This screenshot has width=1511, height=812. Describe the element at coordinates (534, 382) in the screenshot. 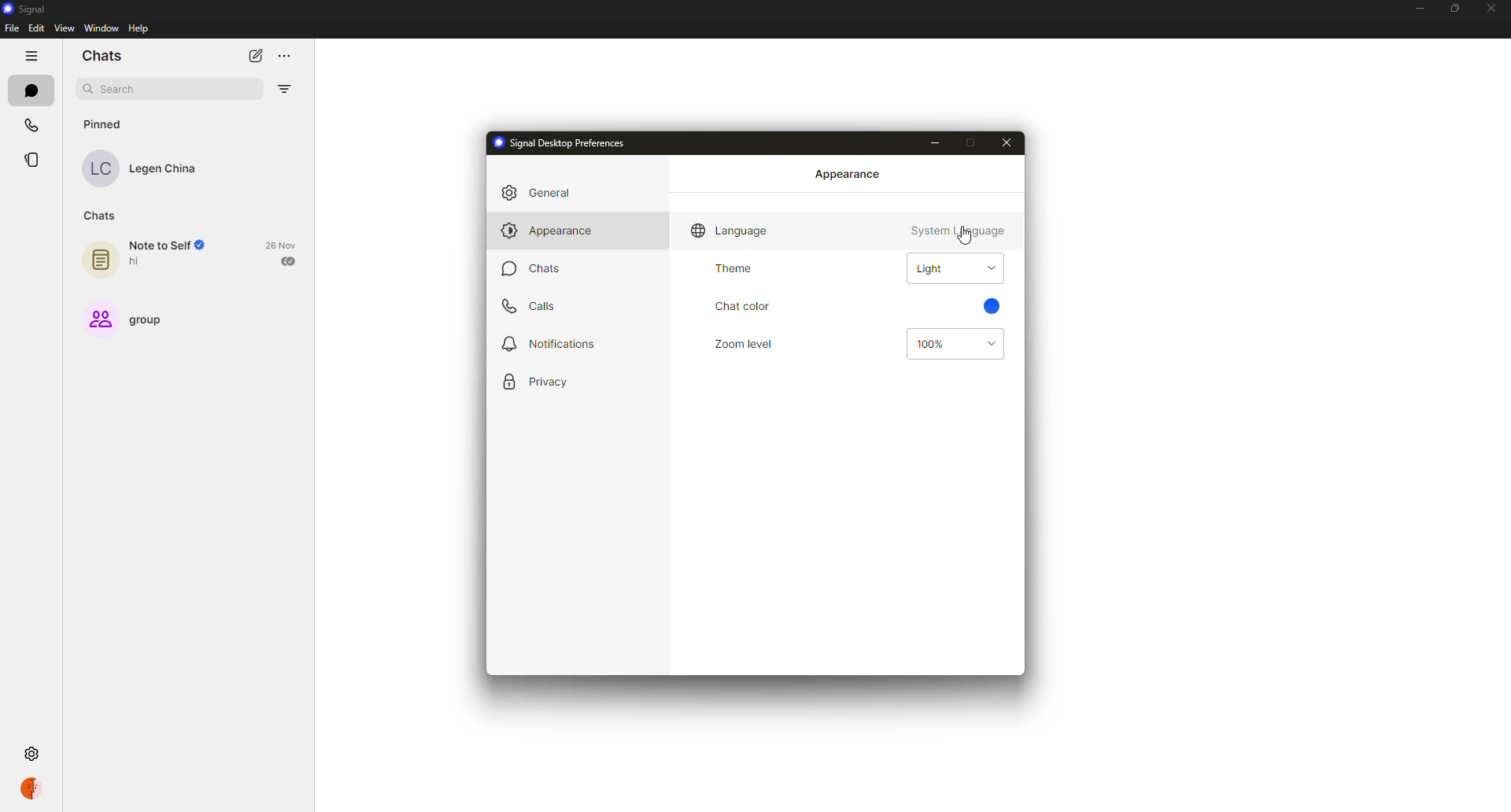

I see `privacy` at that location.